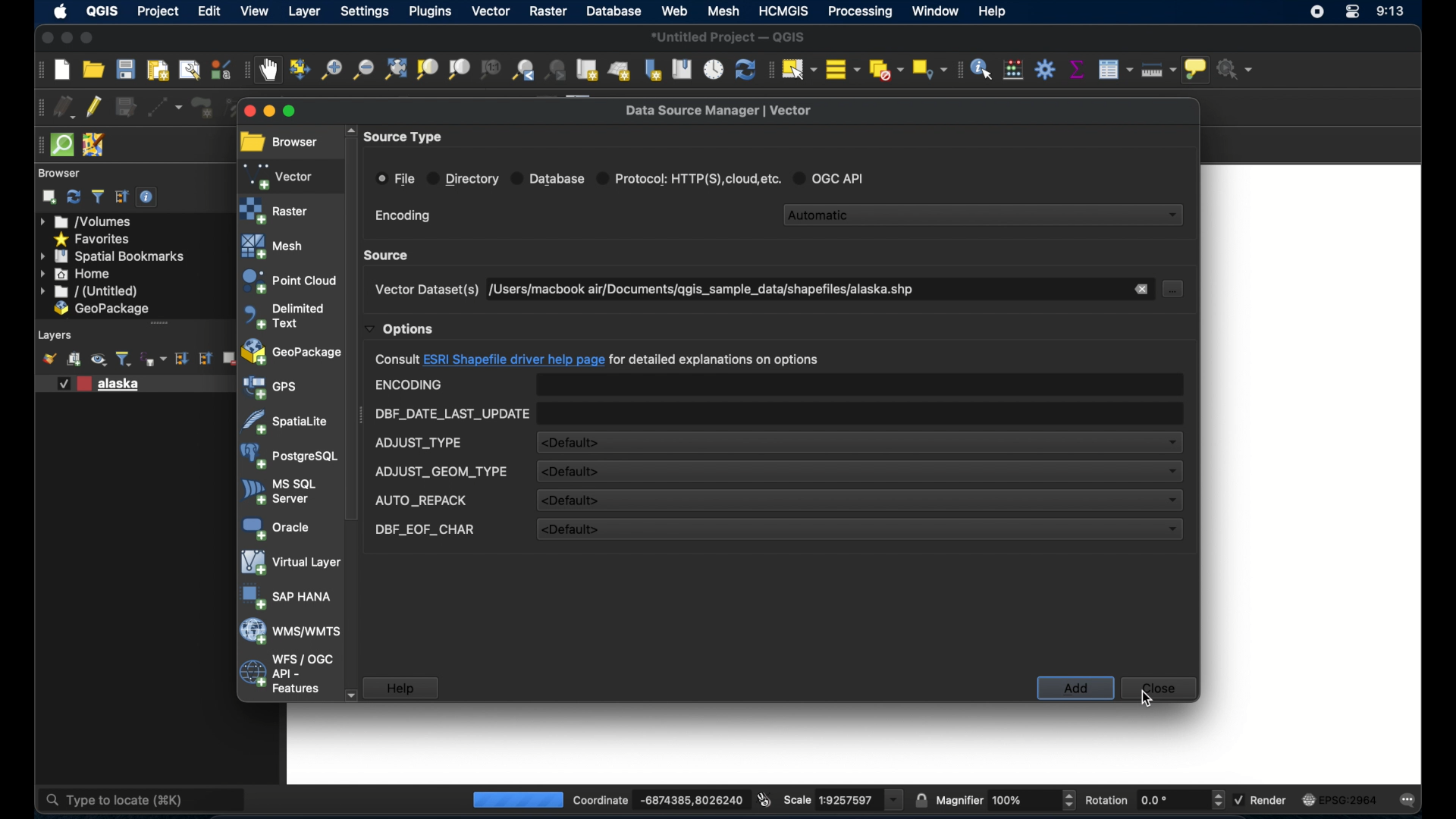 The image size is (1456, 819). What do you see at coordinates (275, 210) in the screenshot?
I see `raster` at bounding box center [275, 210].